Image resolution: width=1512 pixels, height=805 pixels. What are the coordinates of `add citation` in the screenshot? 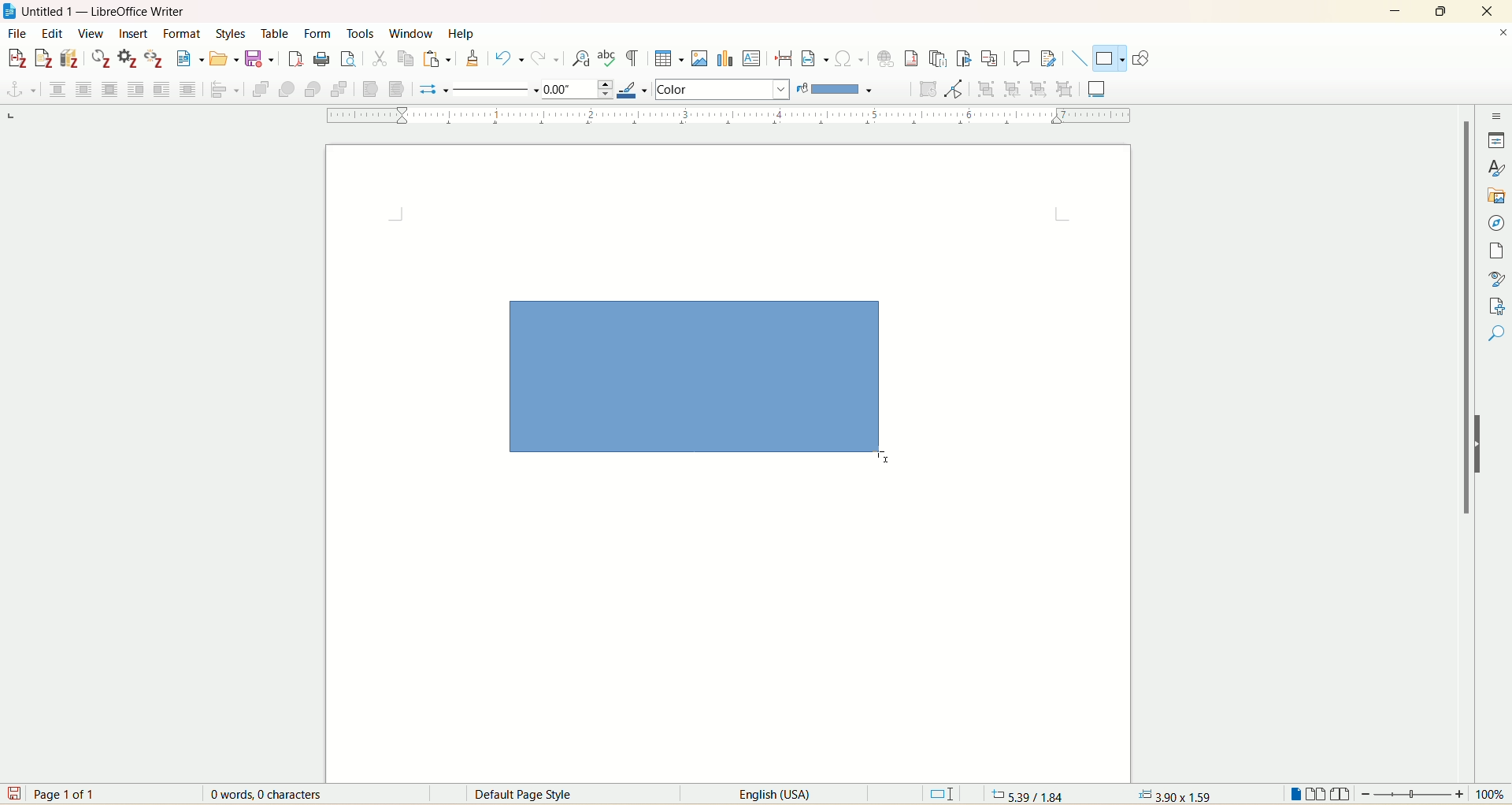 It's located at (15, 59).